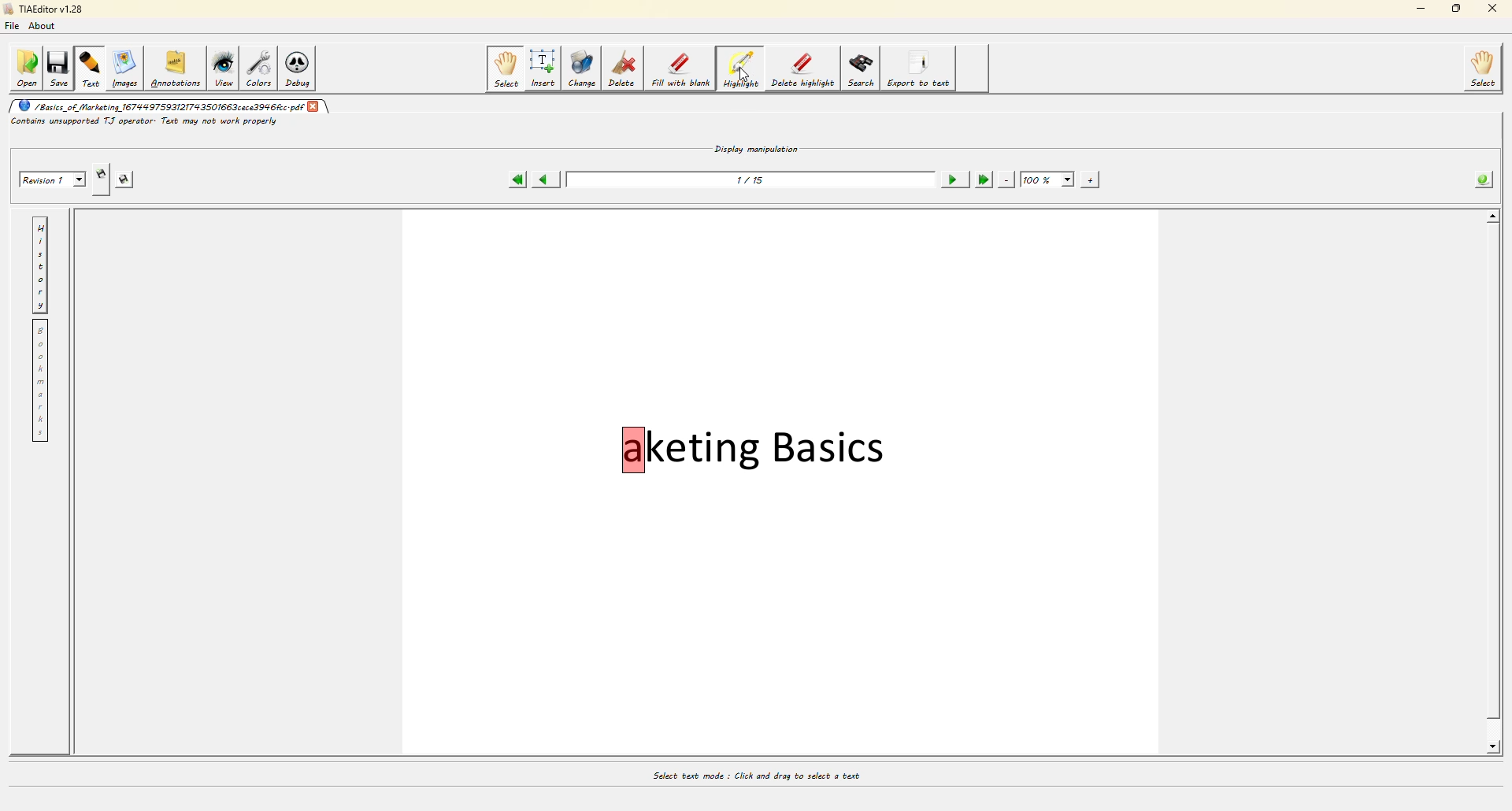  Describe the element at coordinates (43, 28) in the screenshot. I see `about` at that location.